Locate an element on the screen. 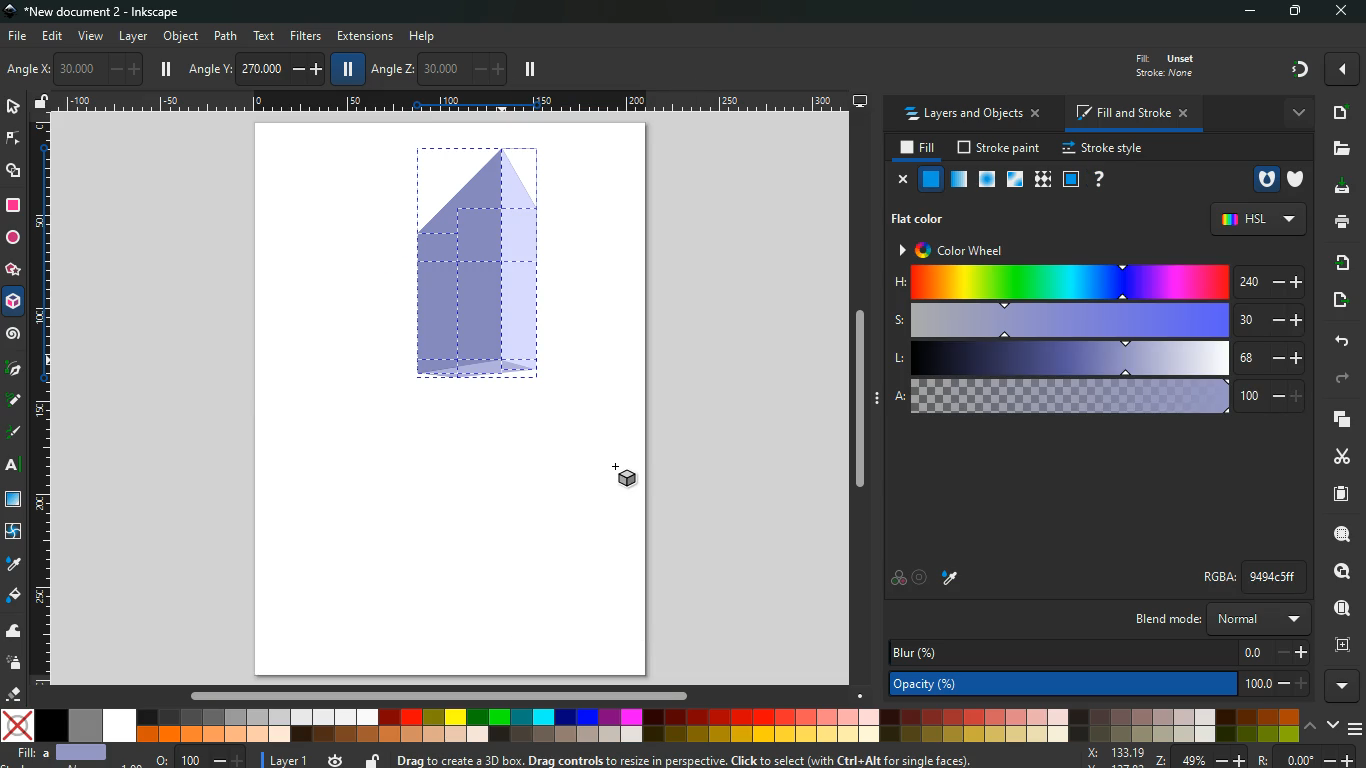 This screenshot has height=768, width=1366. h is located at coordinates (1095, 281).